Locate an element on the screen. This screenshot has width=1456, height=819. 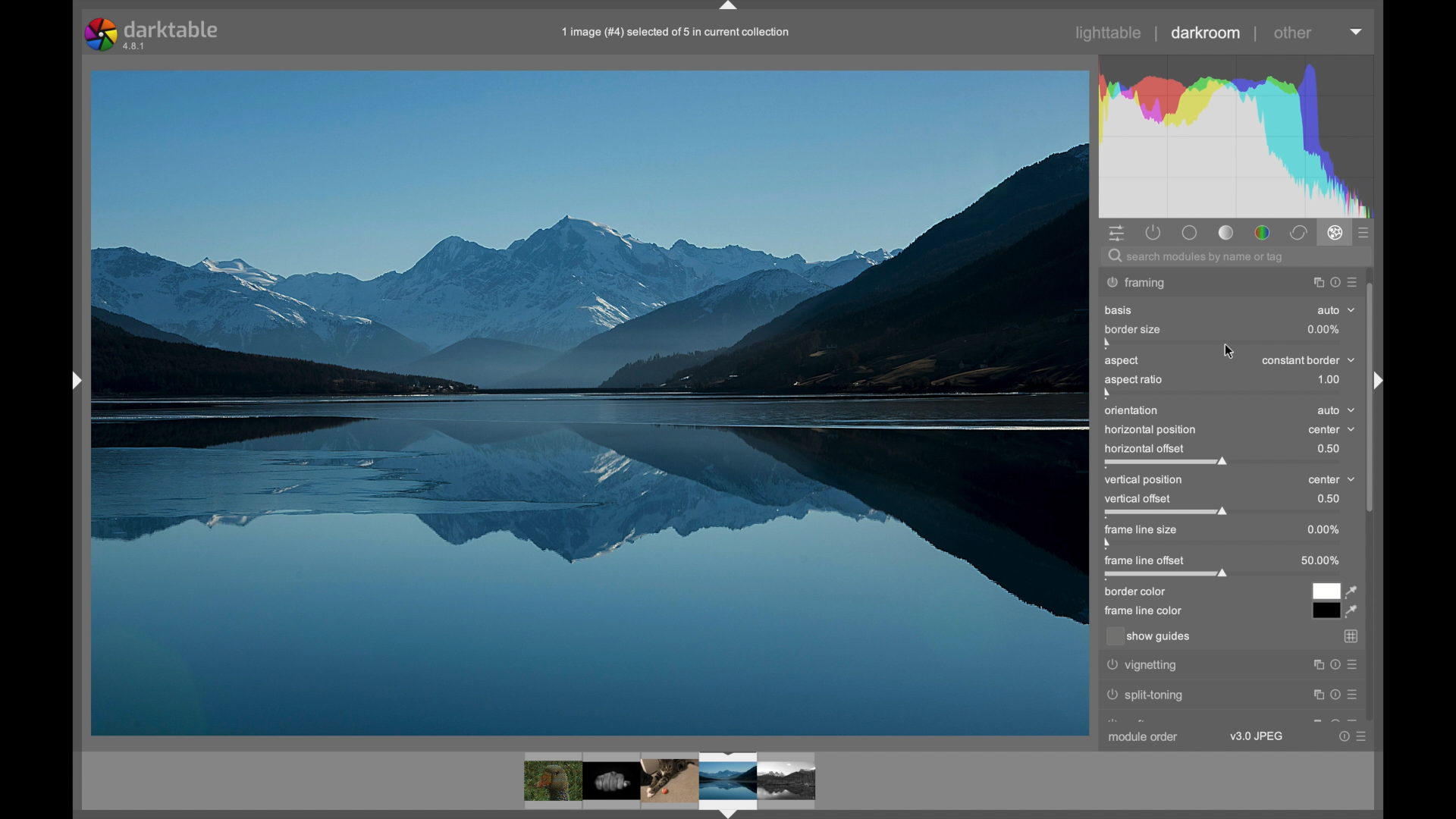
auto dropdown is located at coordinates (1336, 411).